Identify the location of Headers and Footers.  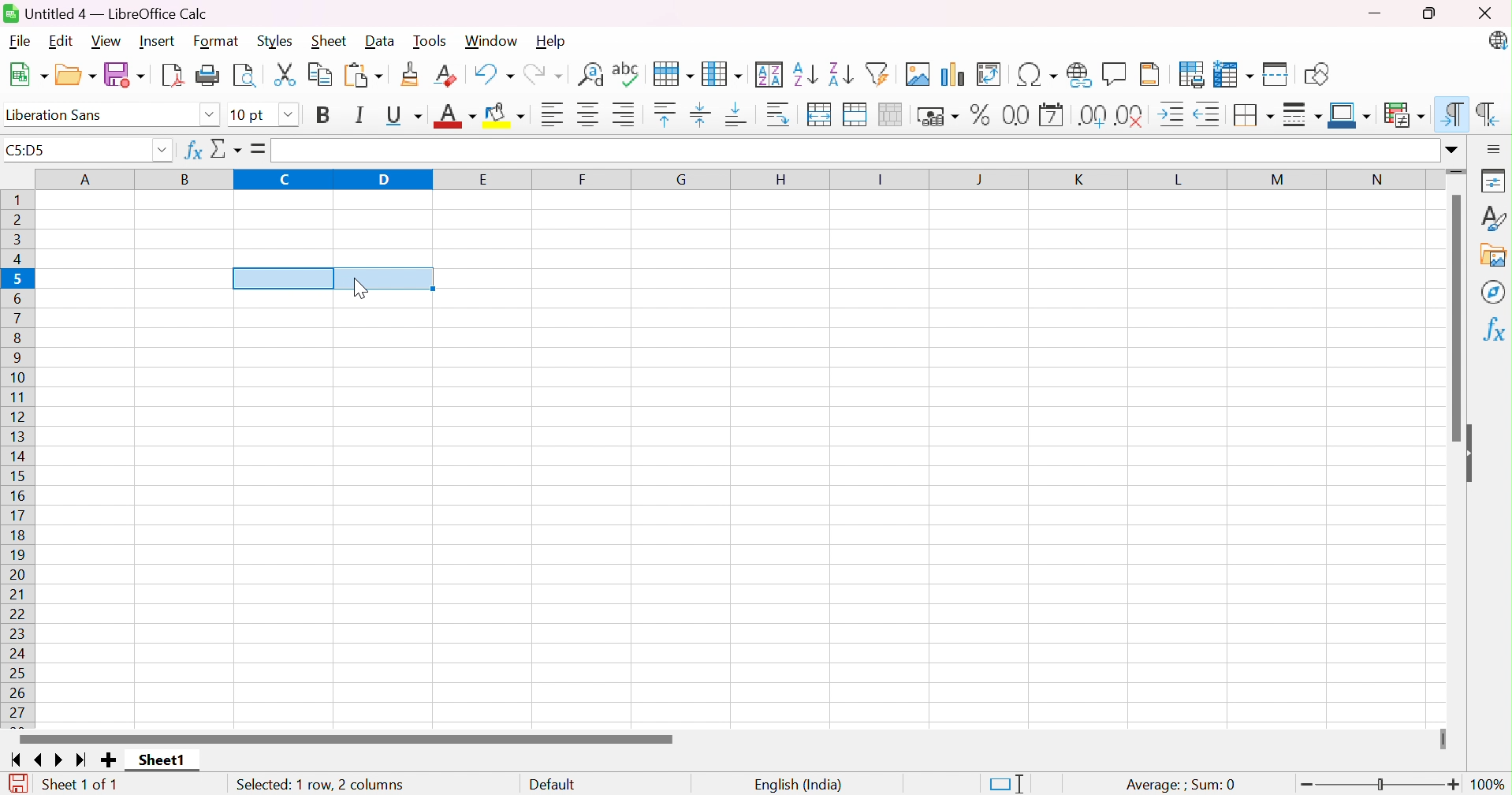
(1154, 73).